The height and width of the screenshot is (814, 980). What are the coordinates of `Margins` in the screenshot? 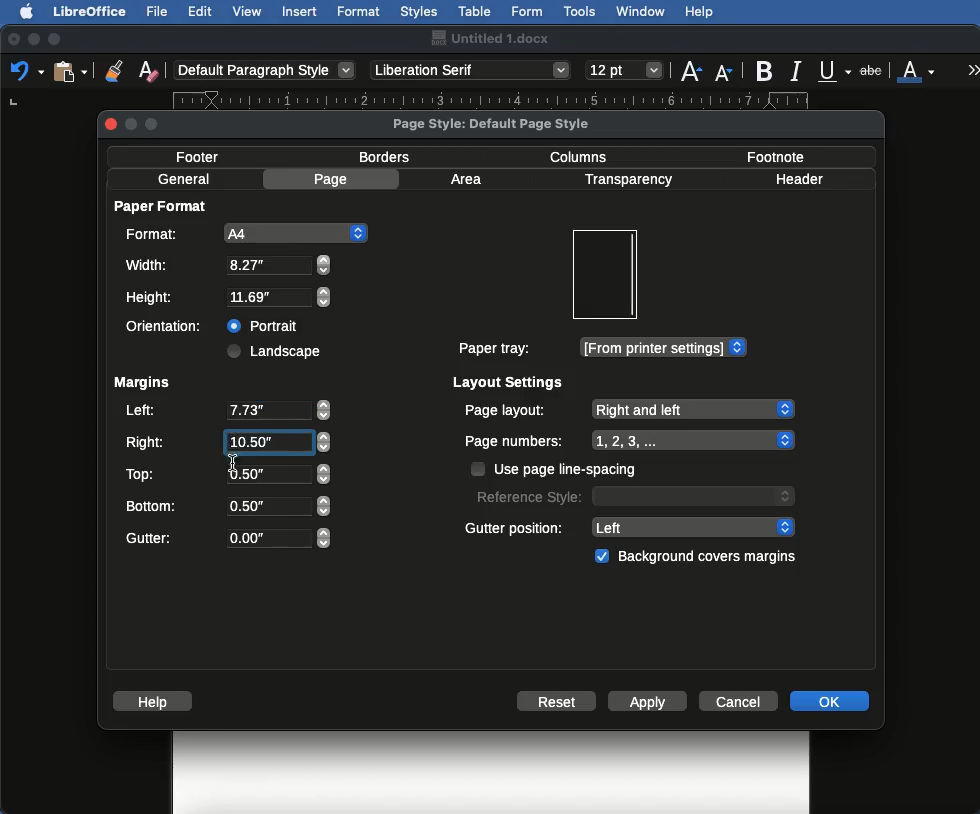 It's located at (141, 383).